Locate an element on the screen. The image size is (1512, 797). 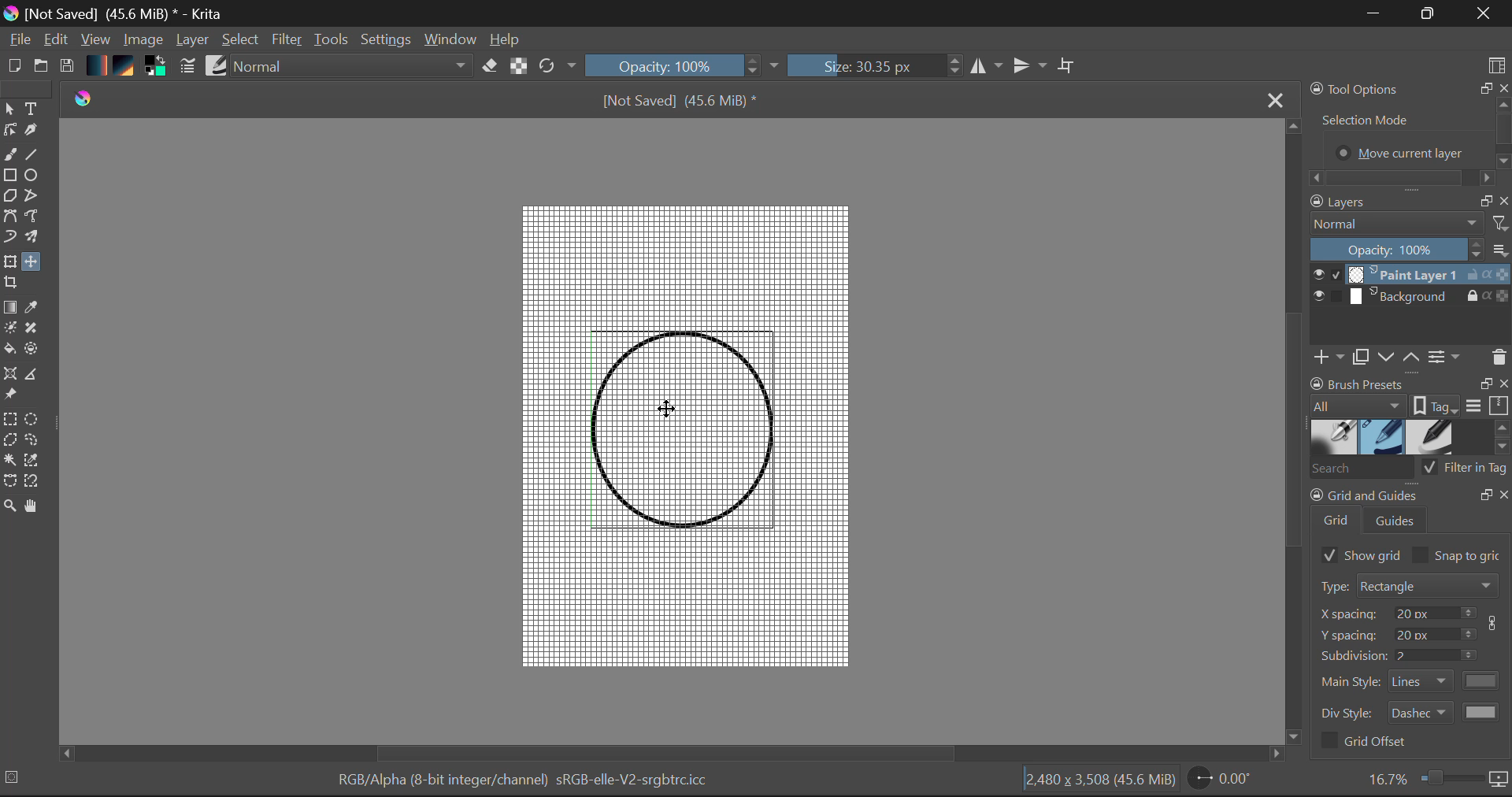
Grid and Guides Docker is located at coordinates (1409, 511).